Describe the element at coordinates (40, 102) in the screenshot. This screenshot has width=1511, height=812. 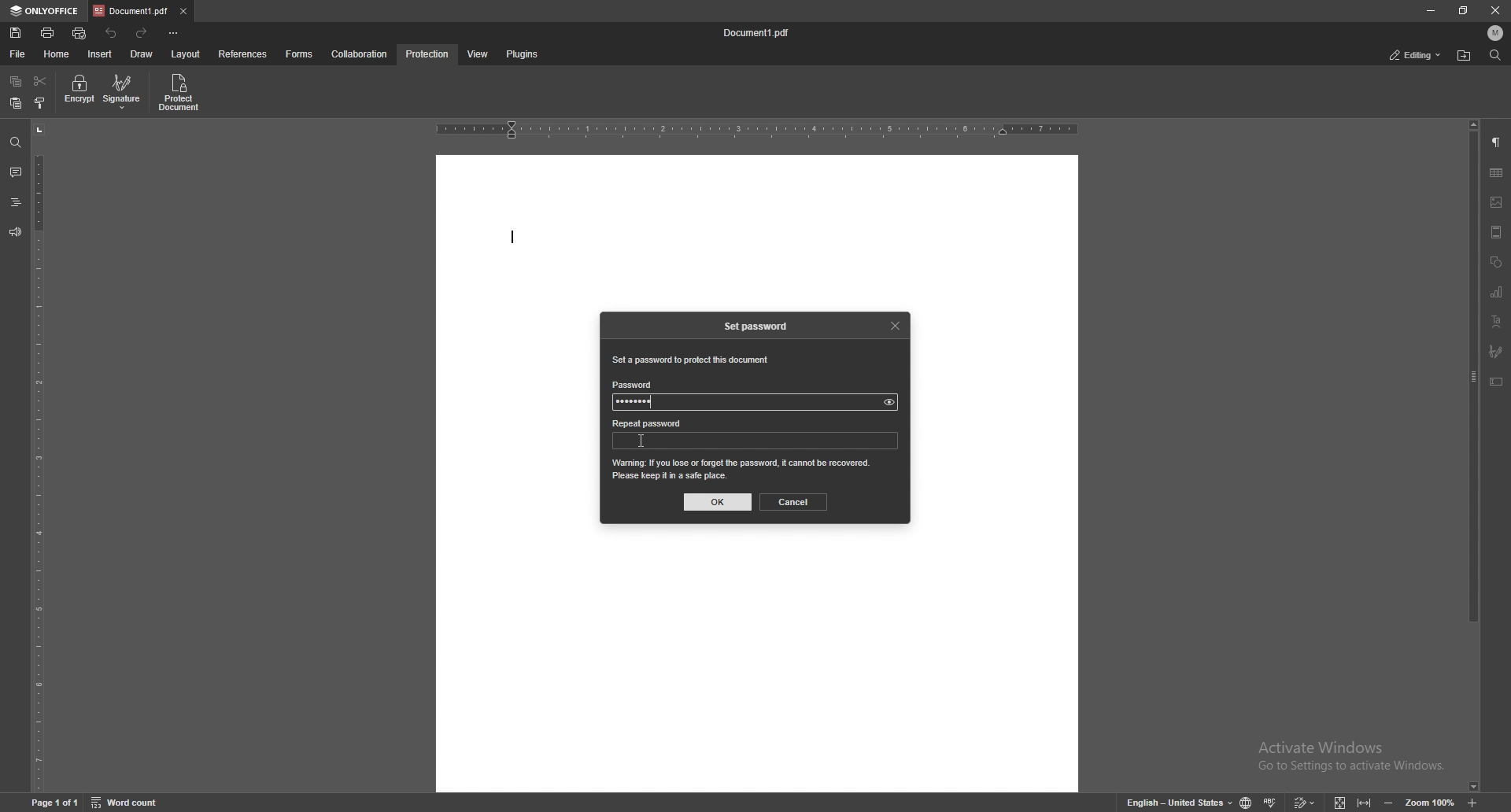
I see `copy style` at that location.